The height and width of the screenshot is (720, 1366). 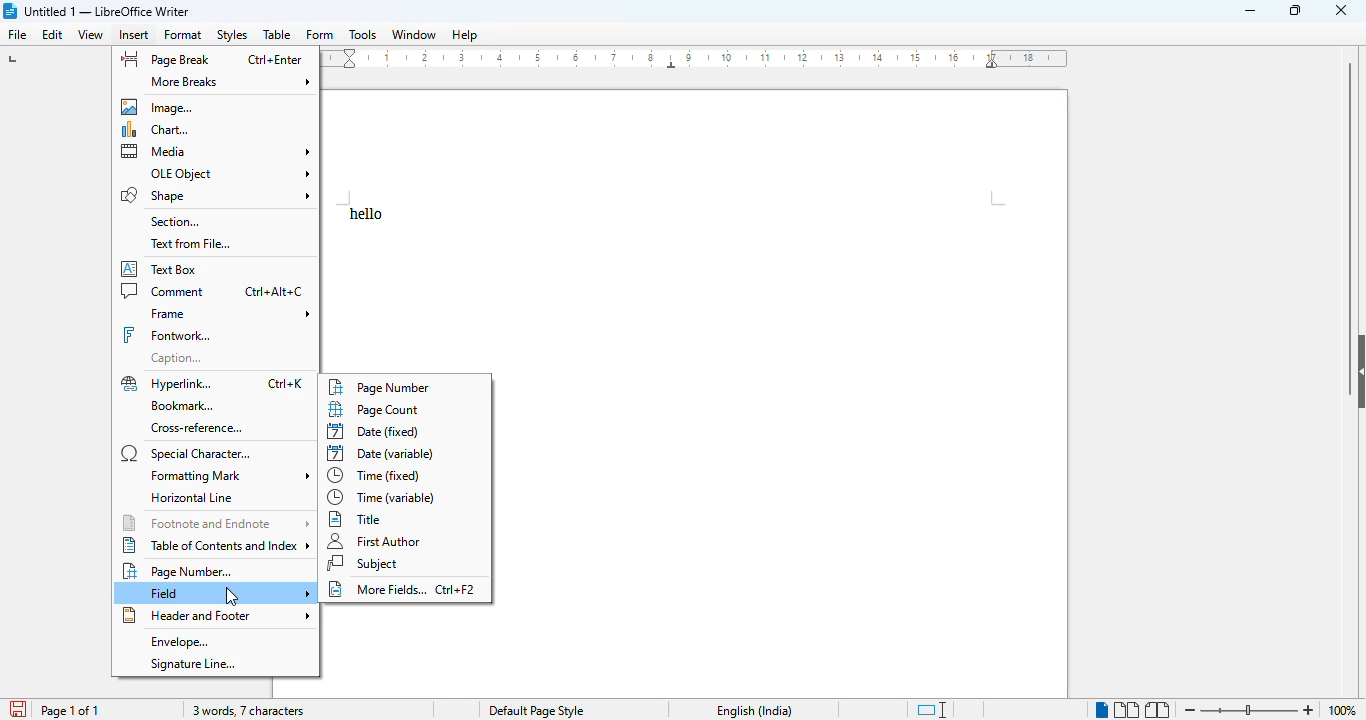 What do you see at coordinates (168, 384) in the screenshot?
I see `hyperlink` at bounding box center [168, 384].